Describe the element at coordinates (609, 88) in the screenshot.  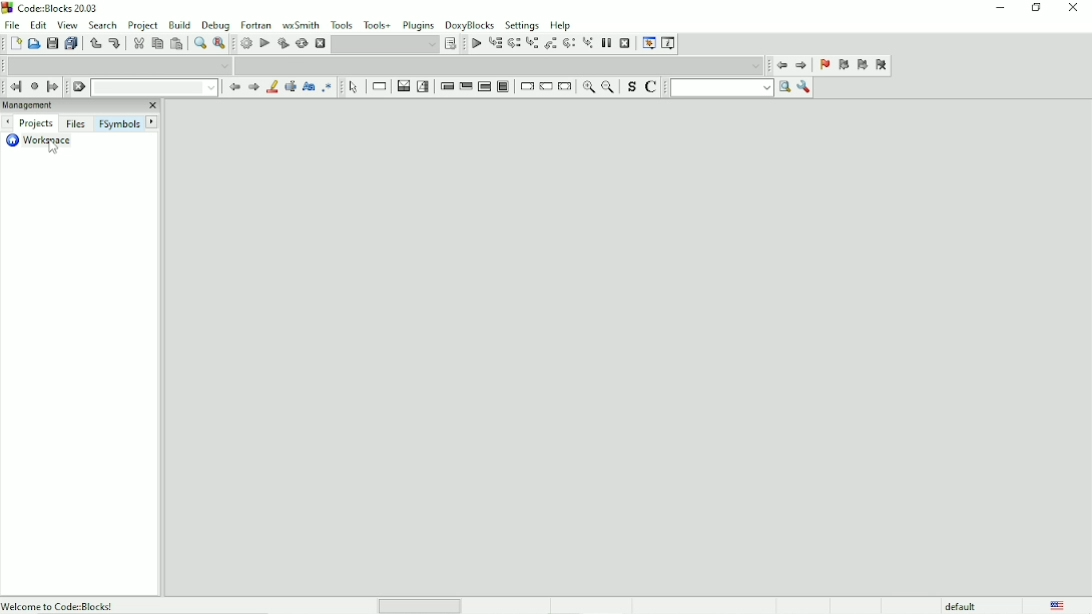
I see `Zoom out` at that location.